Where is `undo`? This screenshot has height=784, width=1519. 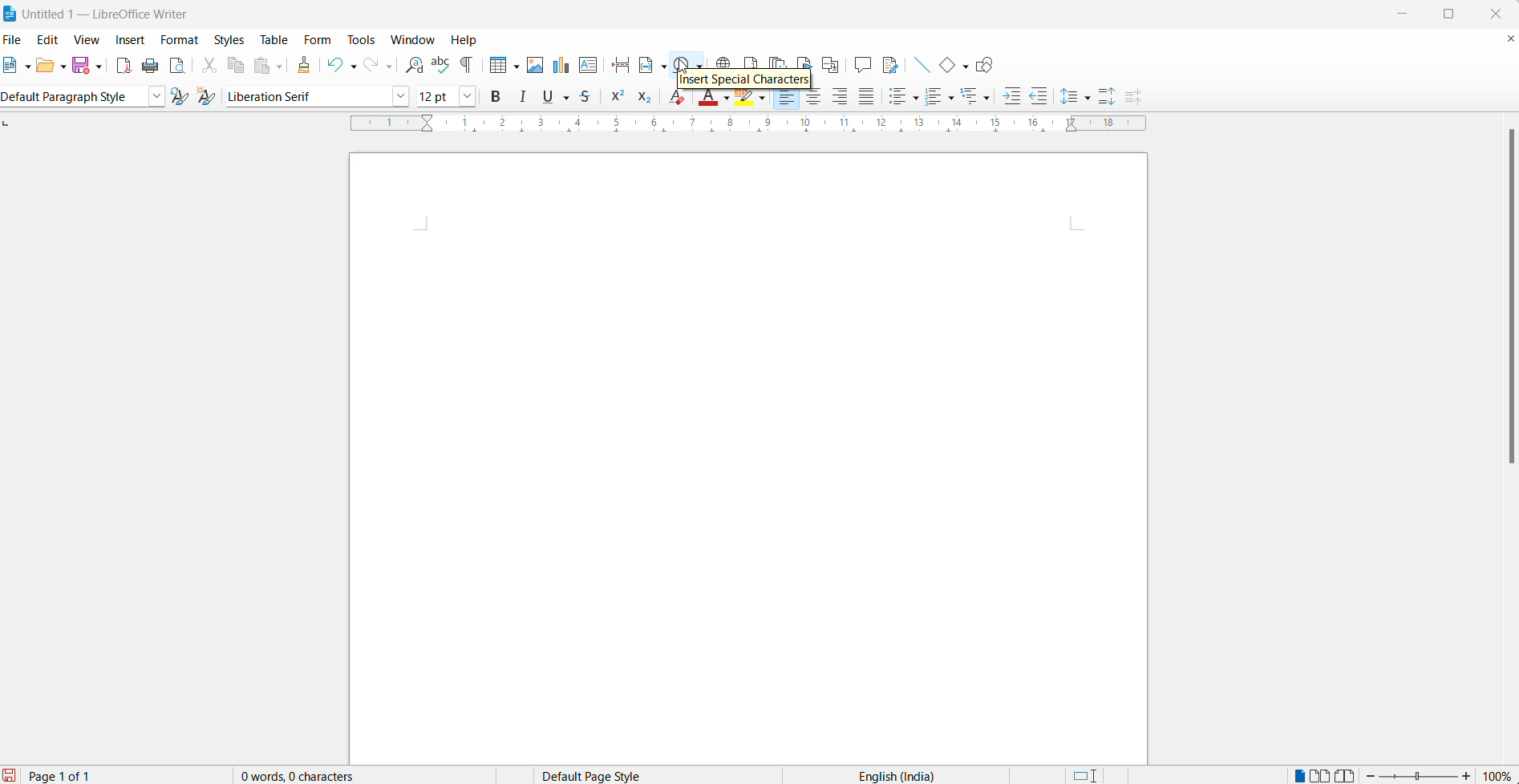 undo is located at coordinates (331, 64).